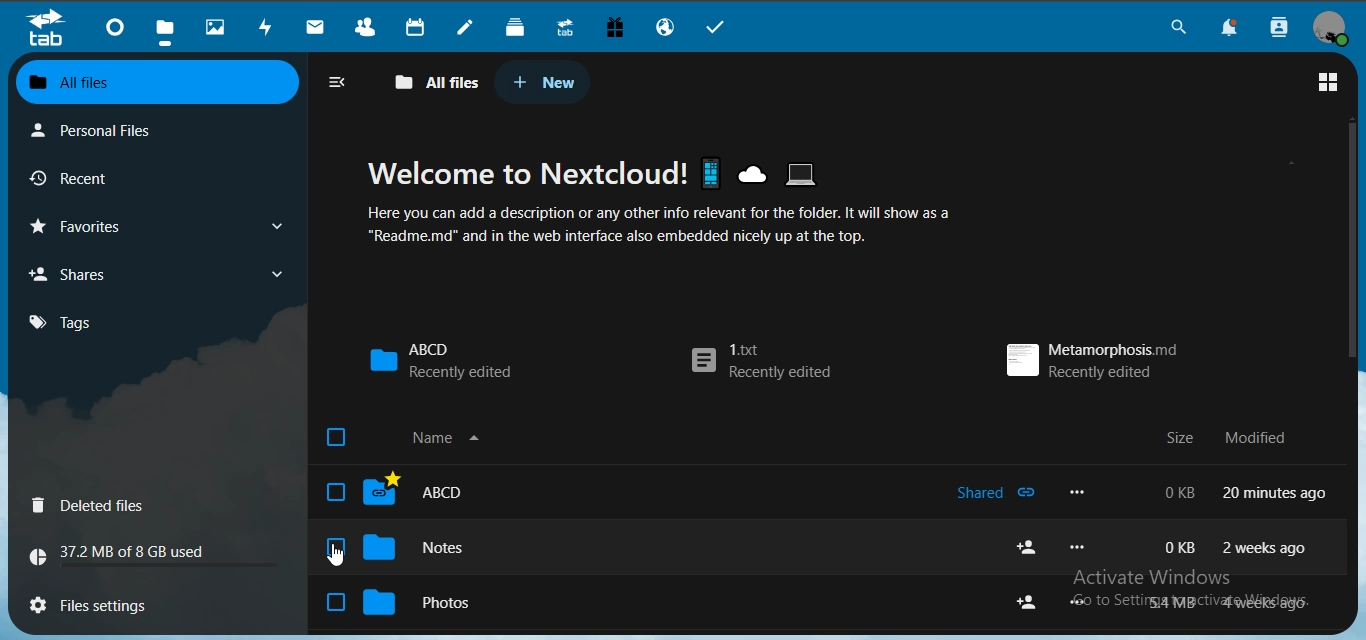  I want to click on shares, so click(158, 272).